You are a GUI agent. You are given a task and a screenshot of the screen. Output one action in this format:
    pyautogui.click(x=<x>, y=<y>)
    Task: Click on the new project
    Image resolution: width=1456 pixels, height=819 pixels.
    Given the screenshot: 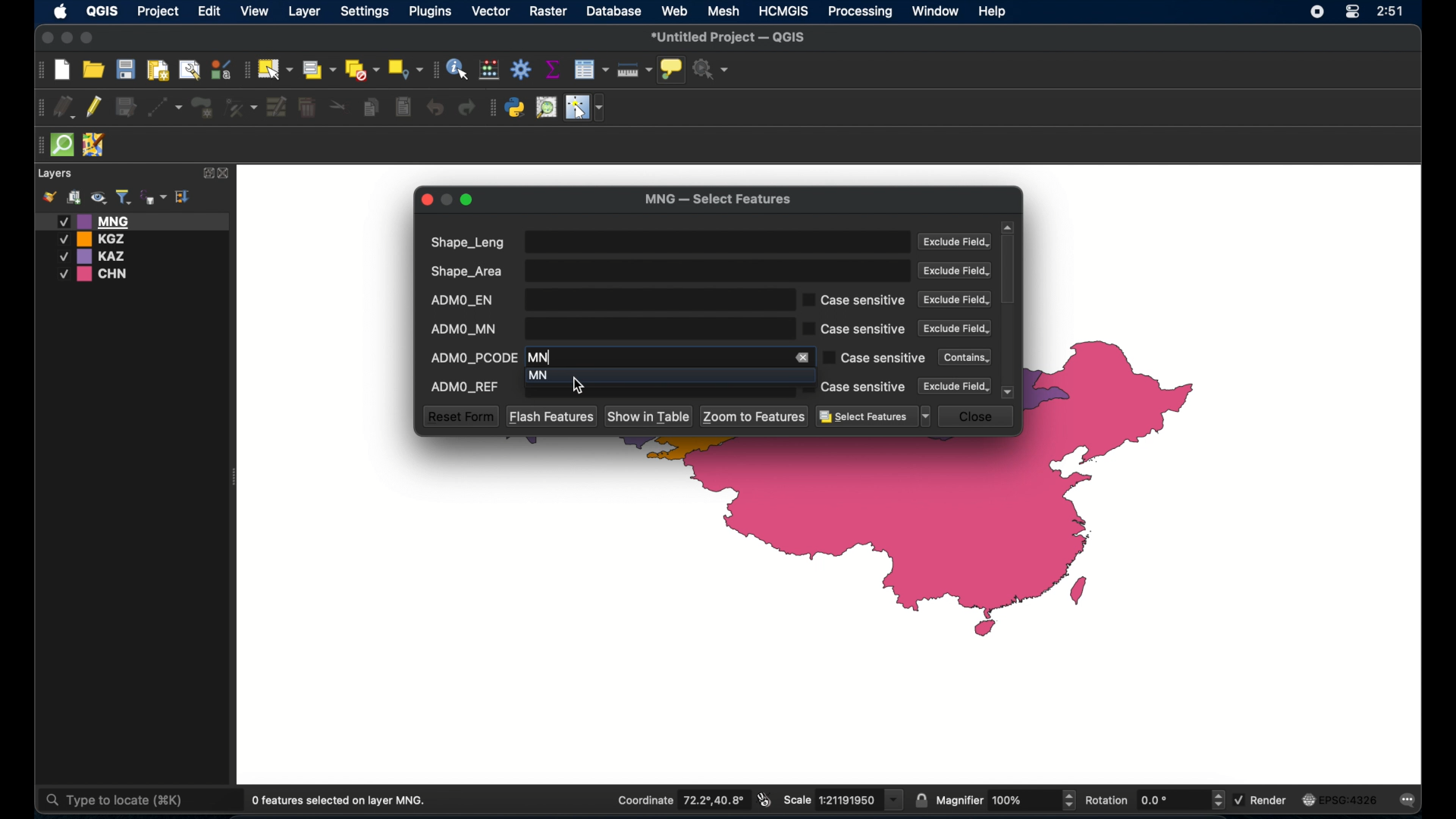 What is the action you would take?
    pyautogui.click(x=63, y=71)
    